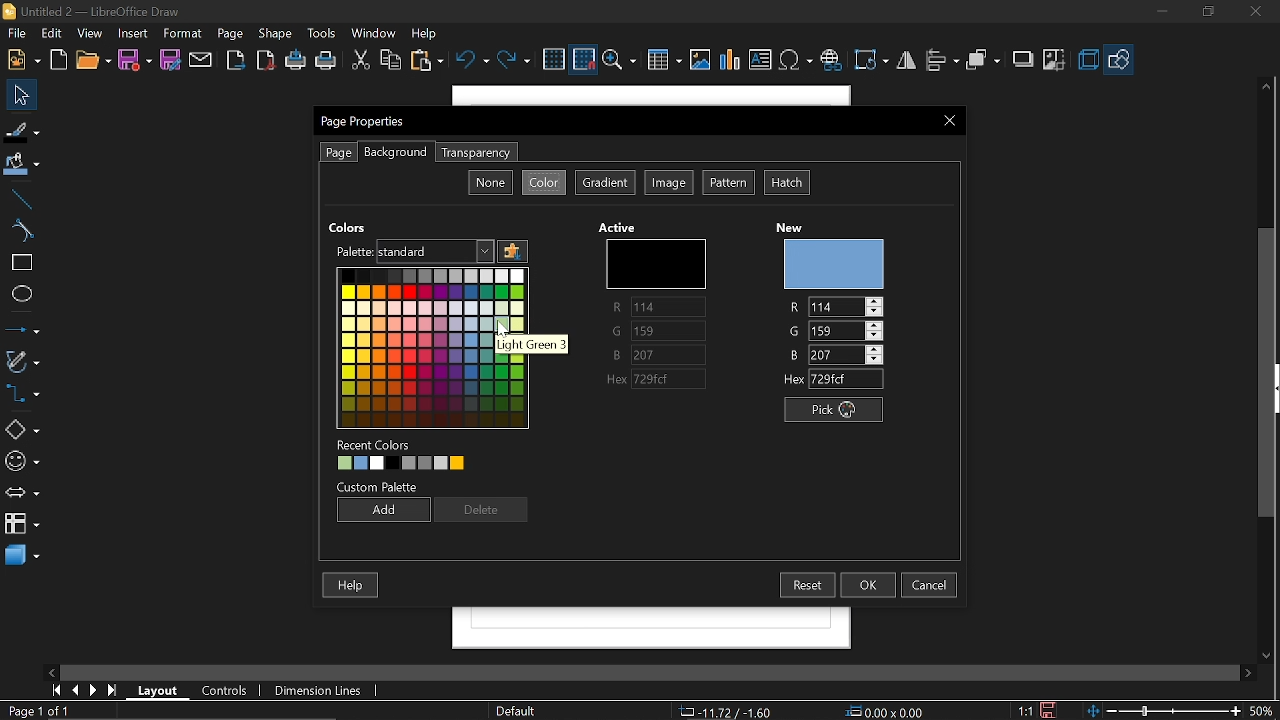  I want to click on format, so click(184, 34).